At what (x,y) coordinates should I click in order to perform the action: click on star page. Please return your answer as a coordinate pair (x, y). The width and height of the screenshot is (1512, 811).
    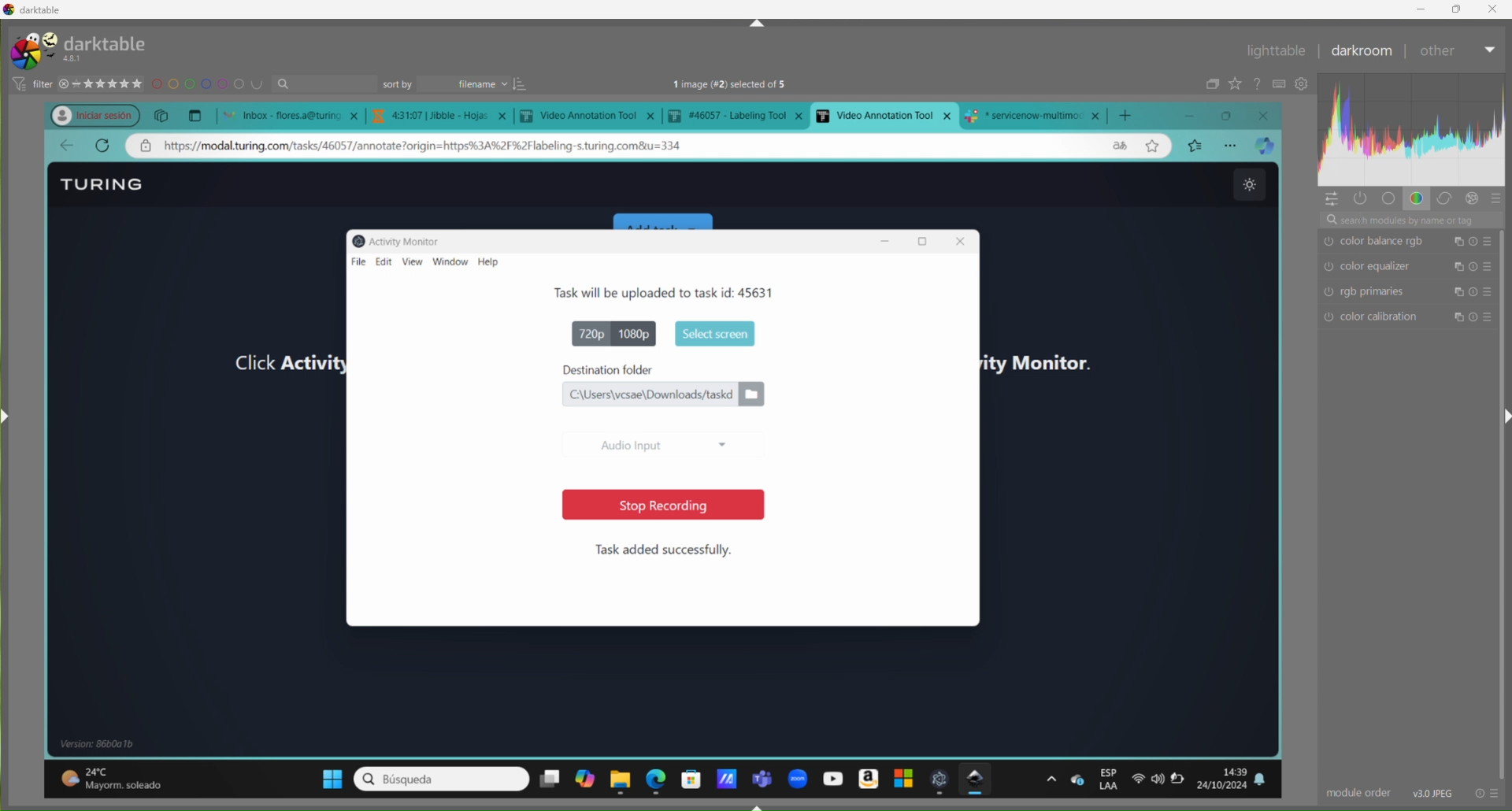
    Looking at the image, I should click on (1151, 148).